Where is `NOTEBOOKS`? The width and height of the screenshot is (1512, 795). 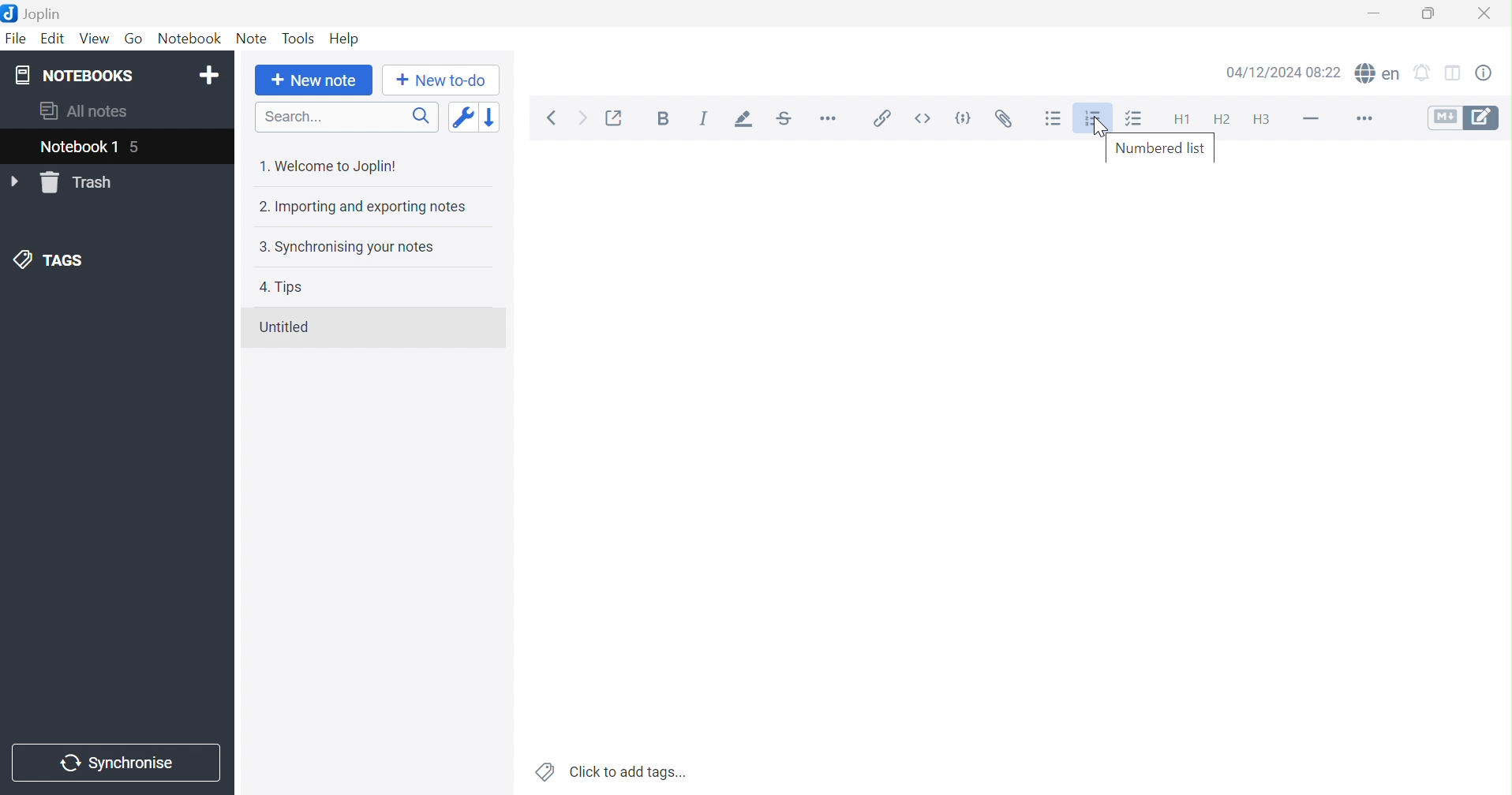
NOTEBOOKS is located at coordinates (73, 76).